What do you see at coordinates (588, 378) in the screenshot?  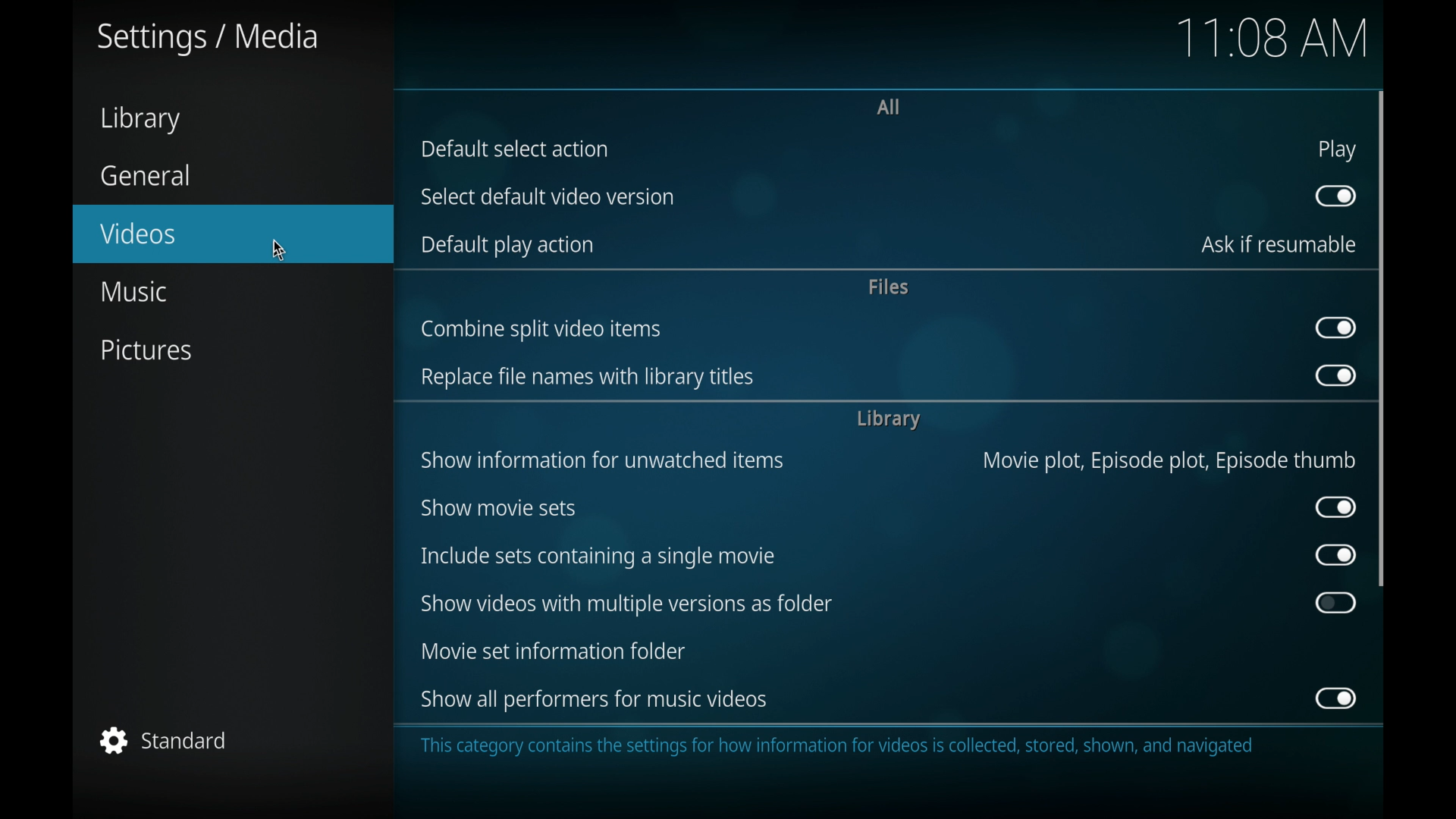 I see `replace file names with library titles` at bounding box center [588, 378].